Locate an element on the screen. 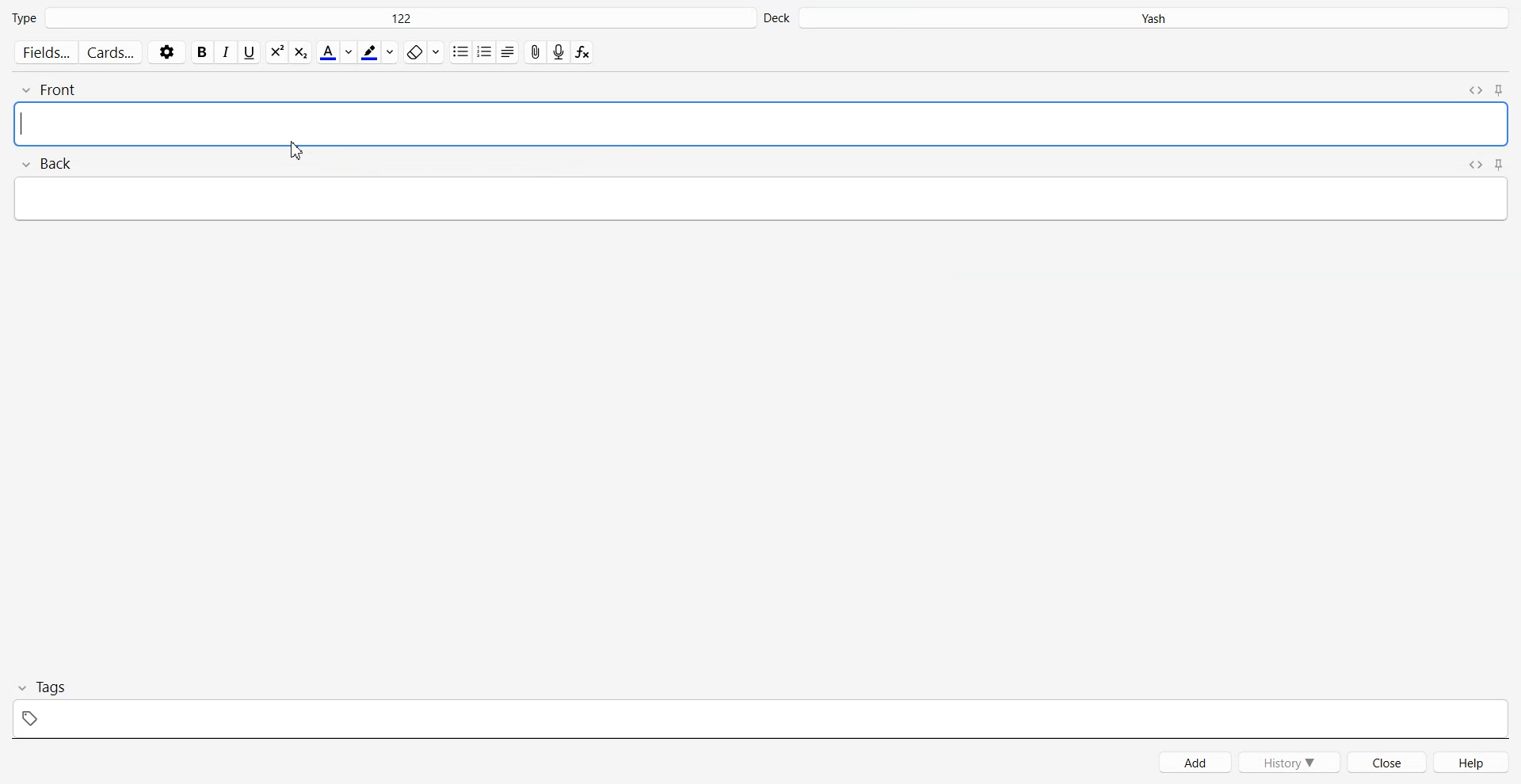  Italic is located at coordinates (227, 52).